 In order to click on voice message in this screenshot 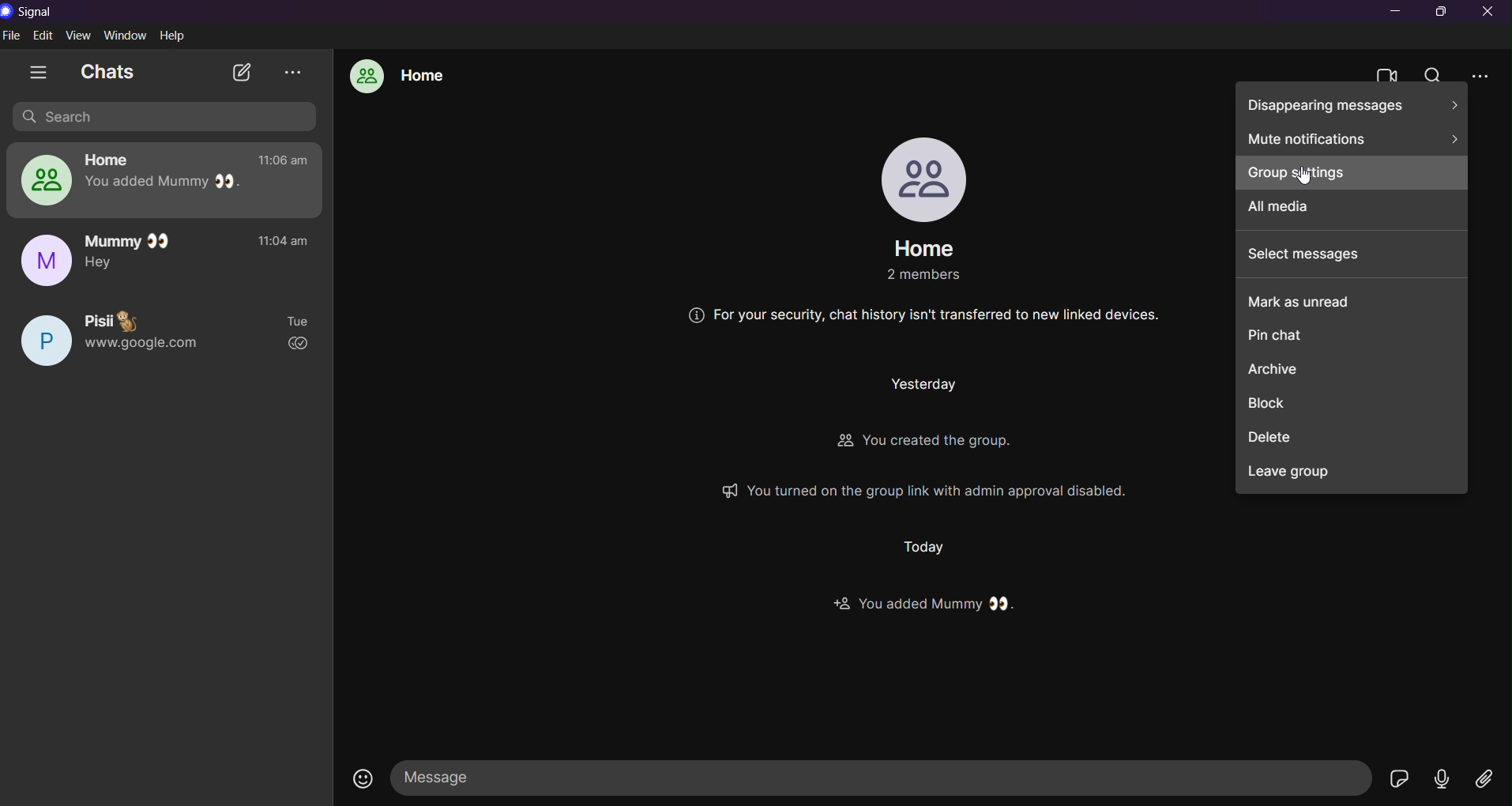, I will do `click(1439, 777)`.